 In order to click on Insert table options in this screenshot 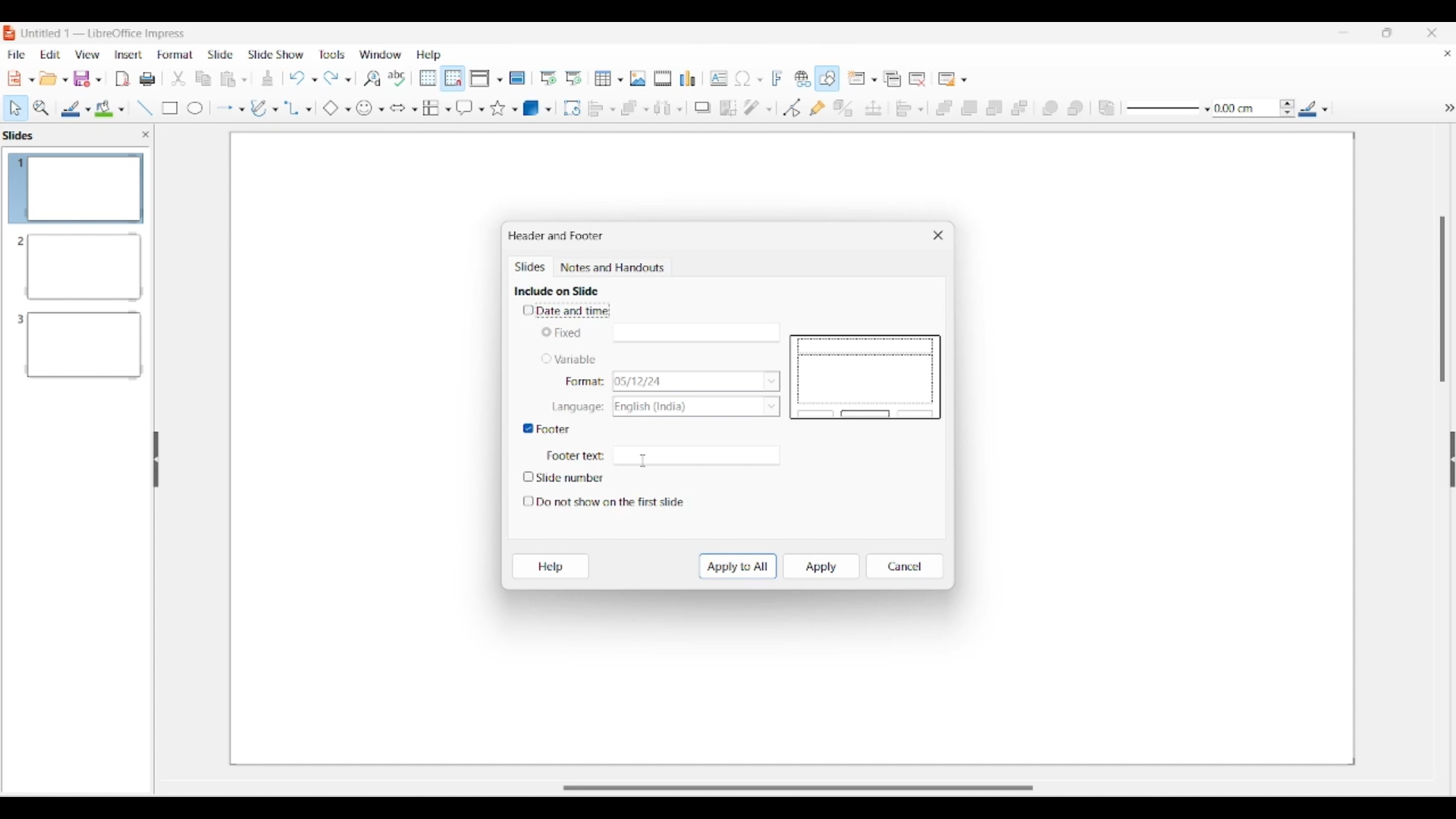, I will do `click(609, 78)`.